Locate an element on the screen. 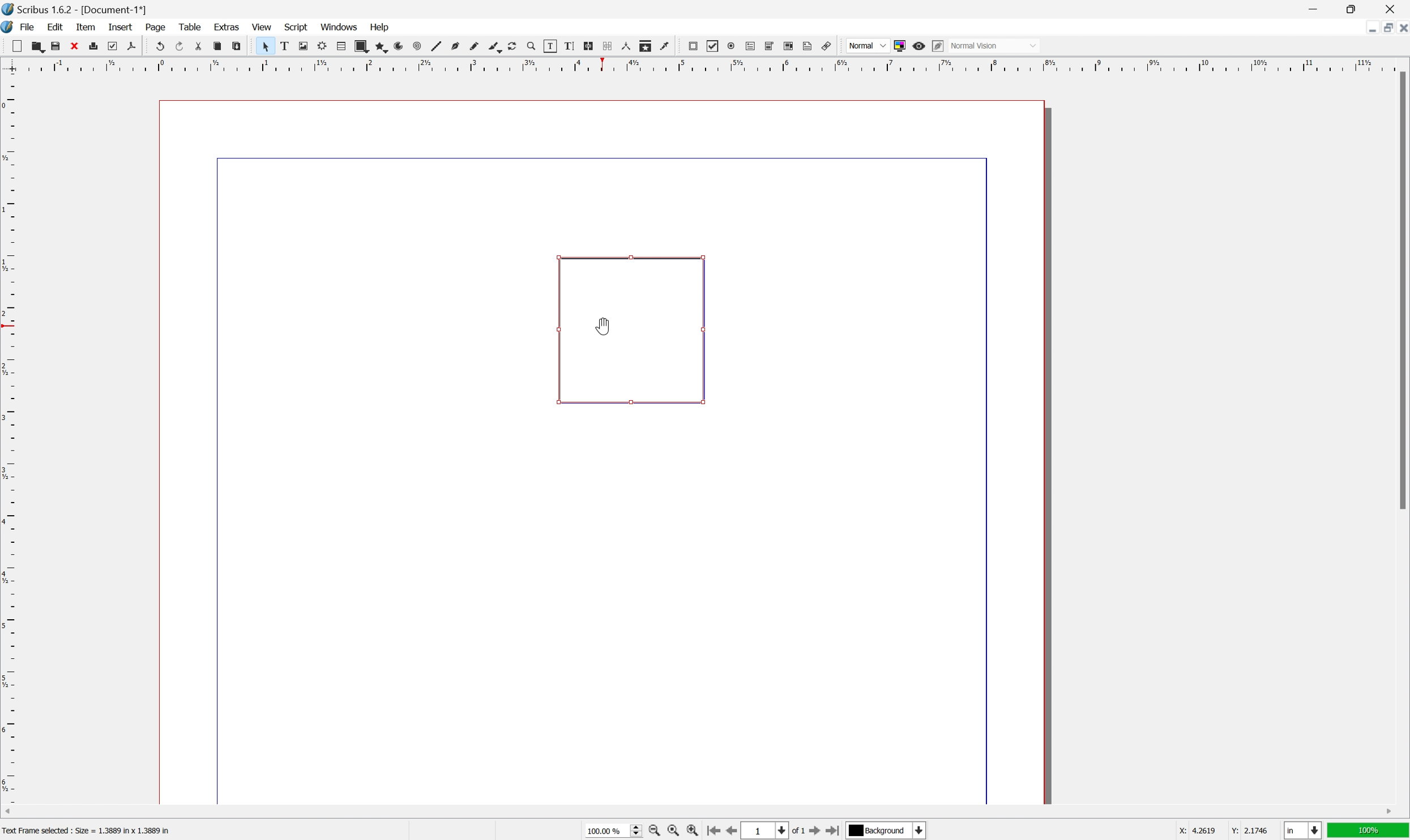 The image size is (1410, 840). select current zoom level is located at coordinates (613, 830).